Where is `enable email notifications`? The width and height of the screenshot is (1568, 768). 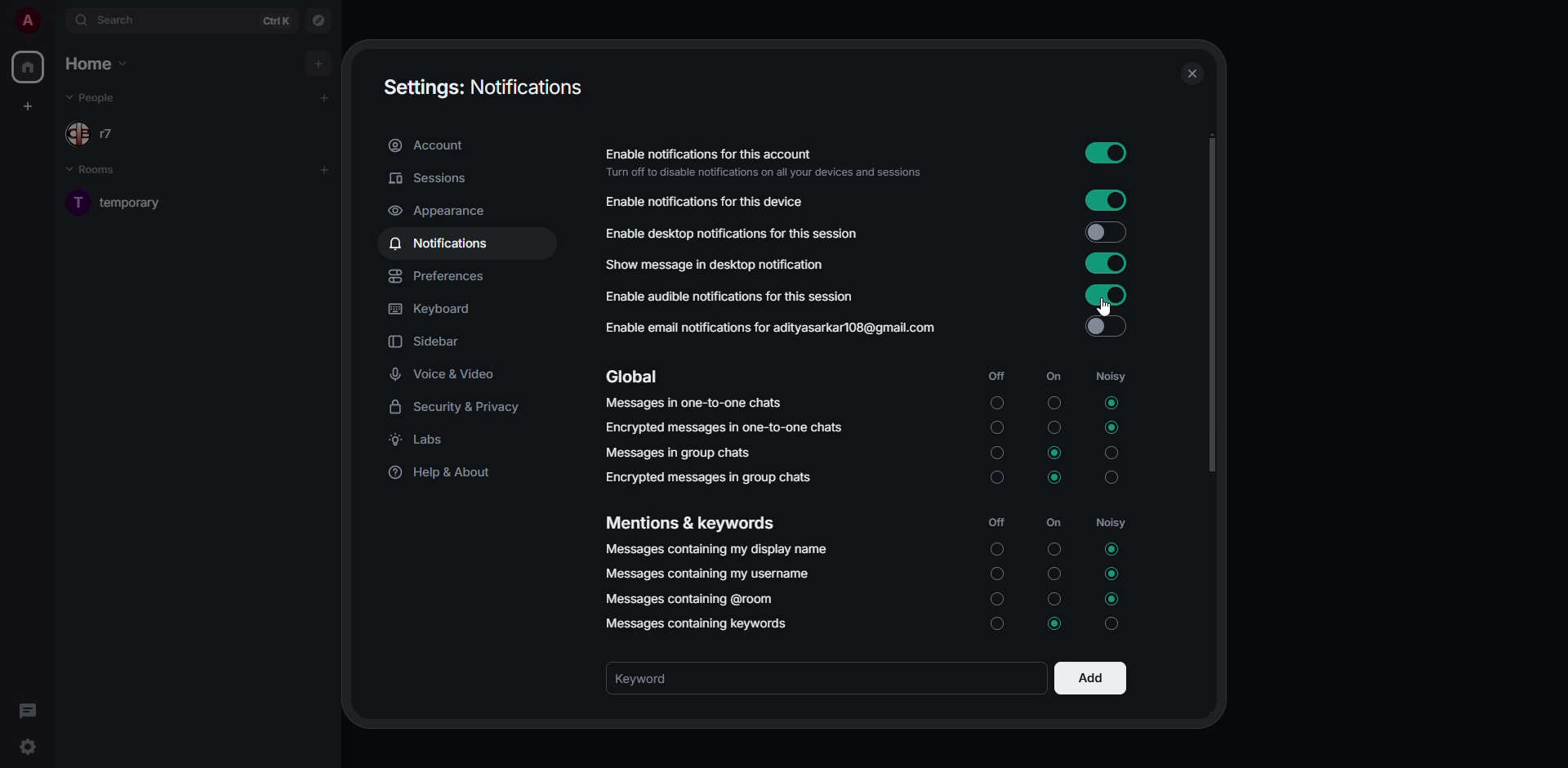
enable email notifications is located at coordinates (776, 328).